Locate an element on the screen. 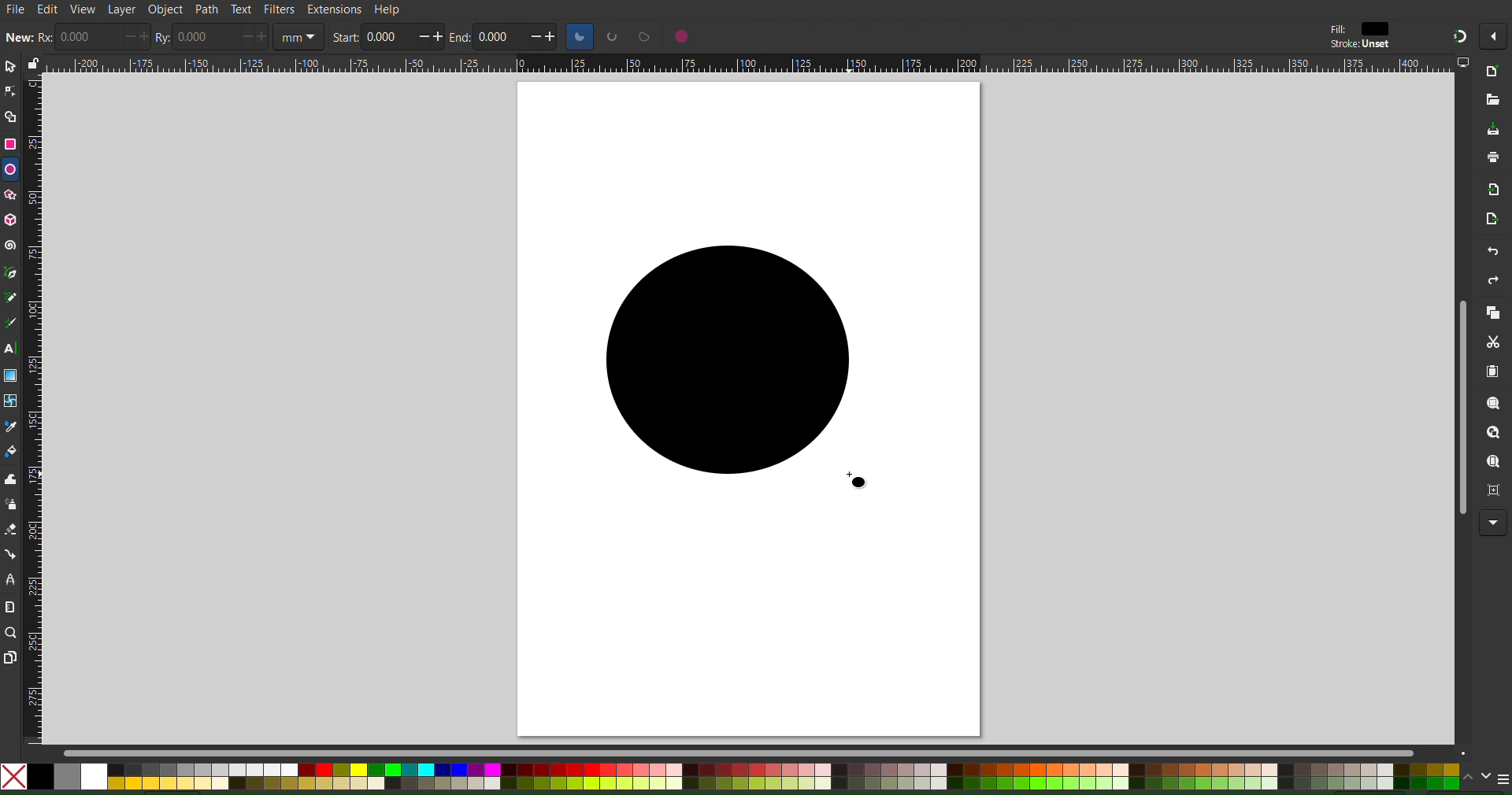 Image resolution: width=1512 pixels, height=795 pixels. Text Tool is located at coordinates (11, 347).